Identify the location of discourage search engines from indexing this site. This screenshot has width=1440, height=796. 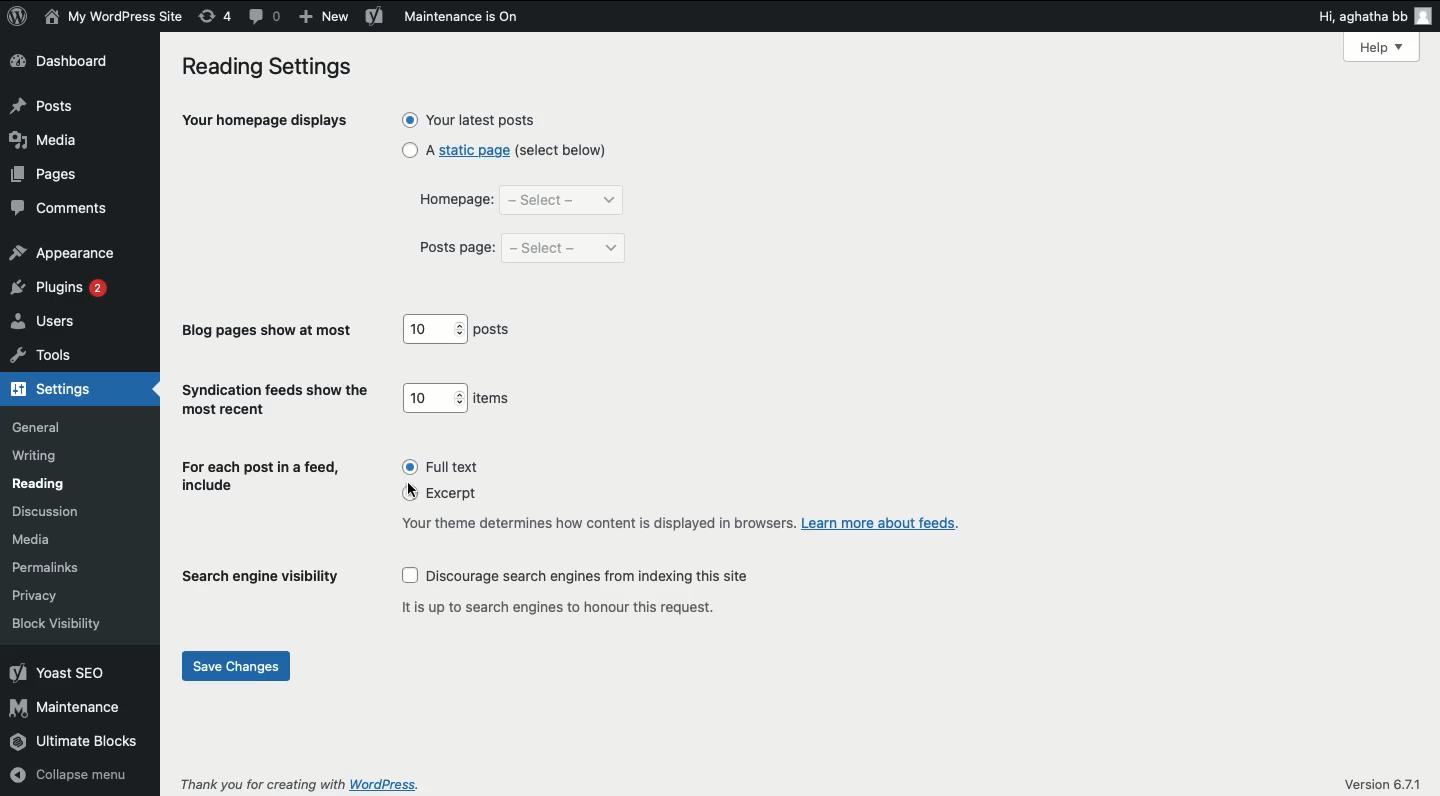
(576, 576).